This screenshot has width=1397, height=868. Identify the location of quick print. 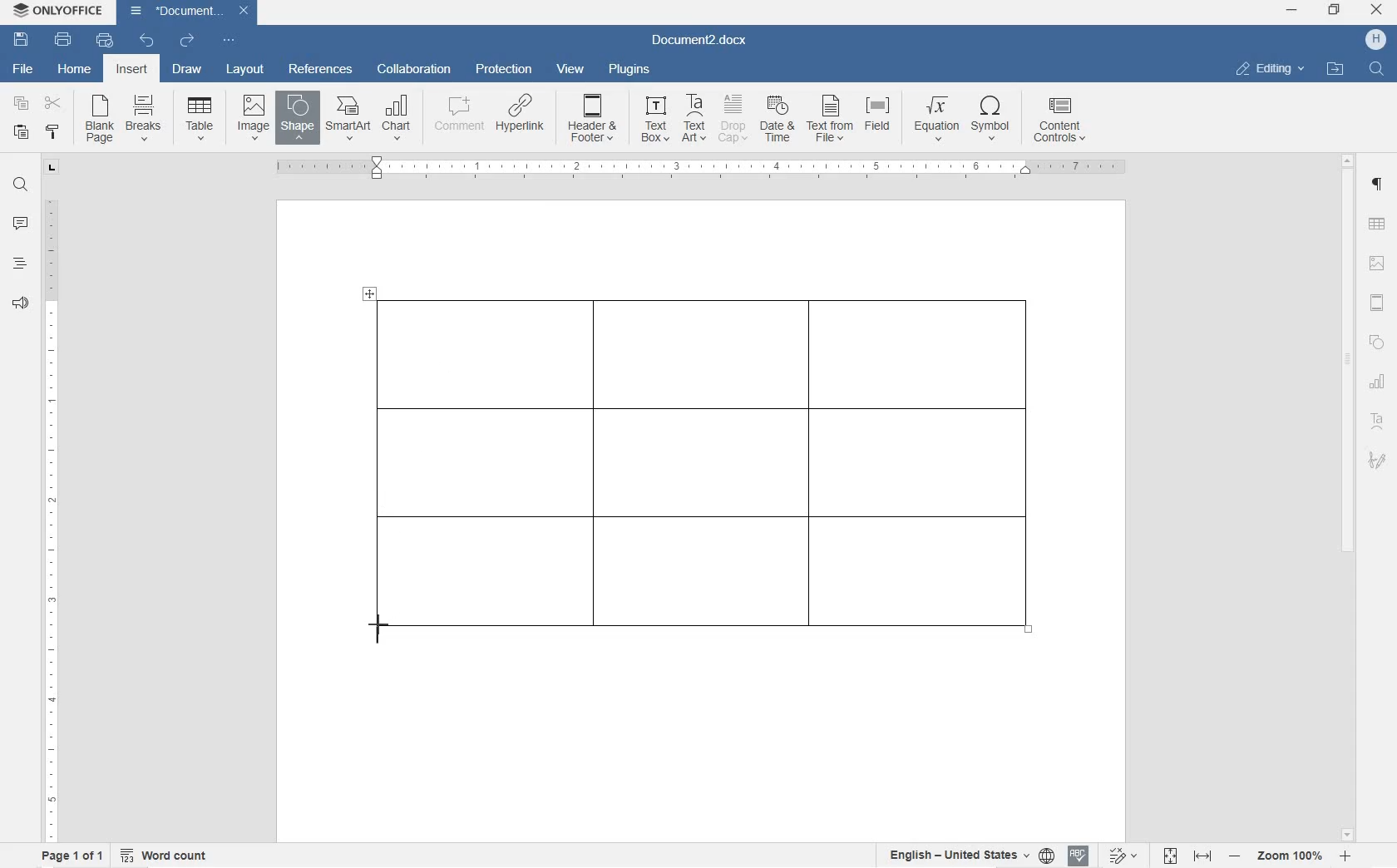
(105, 40).